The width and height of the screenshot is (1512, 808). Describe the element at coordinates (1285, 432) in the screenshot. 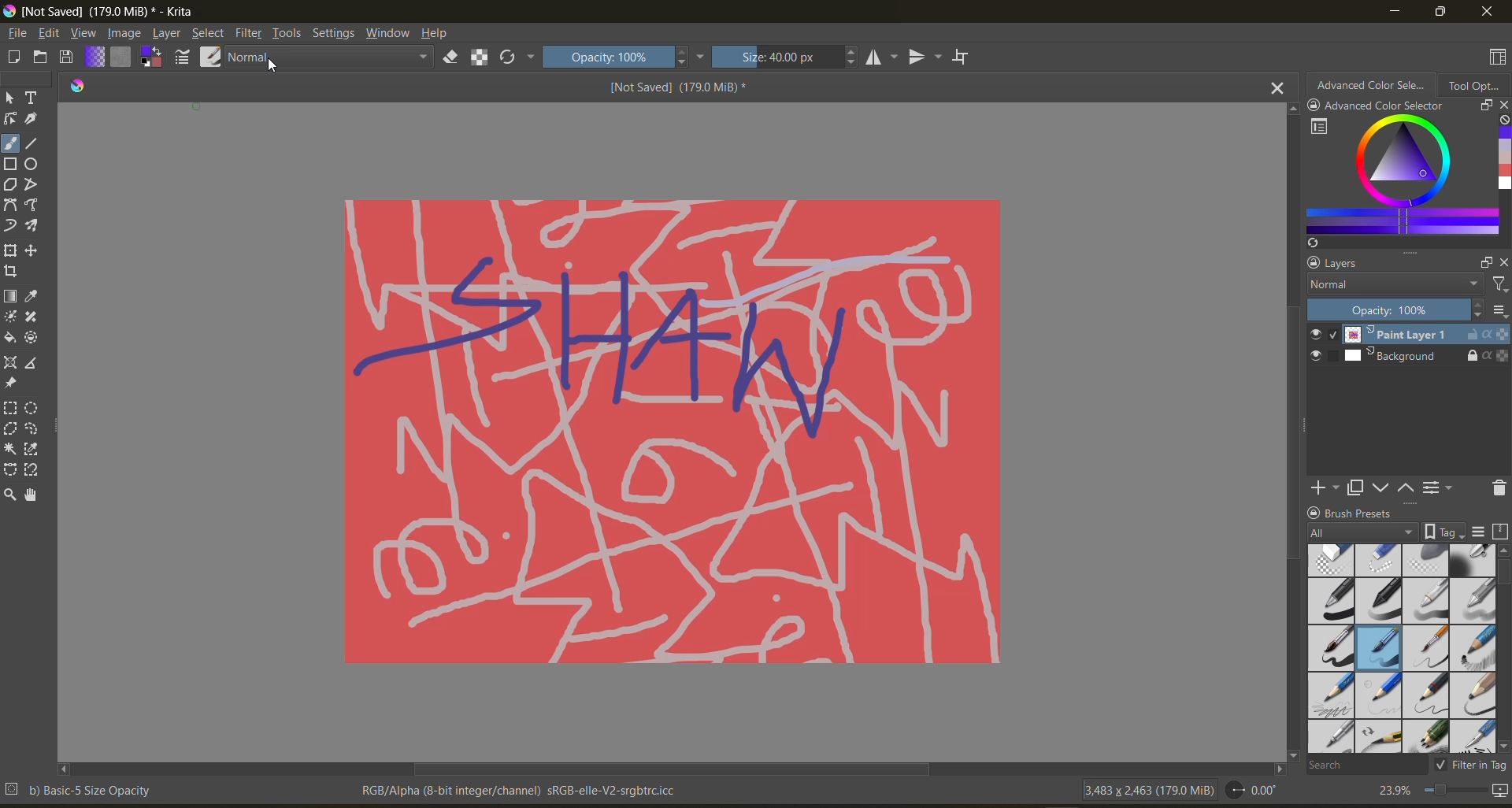

I see `vertical scroll bar` at that location.